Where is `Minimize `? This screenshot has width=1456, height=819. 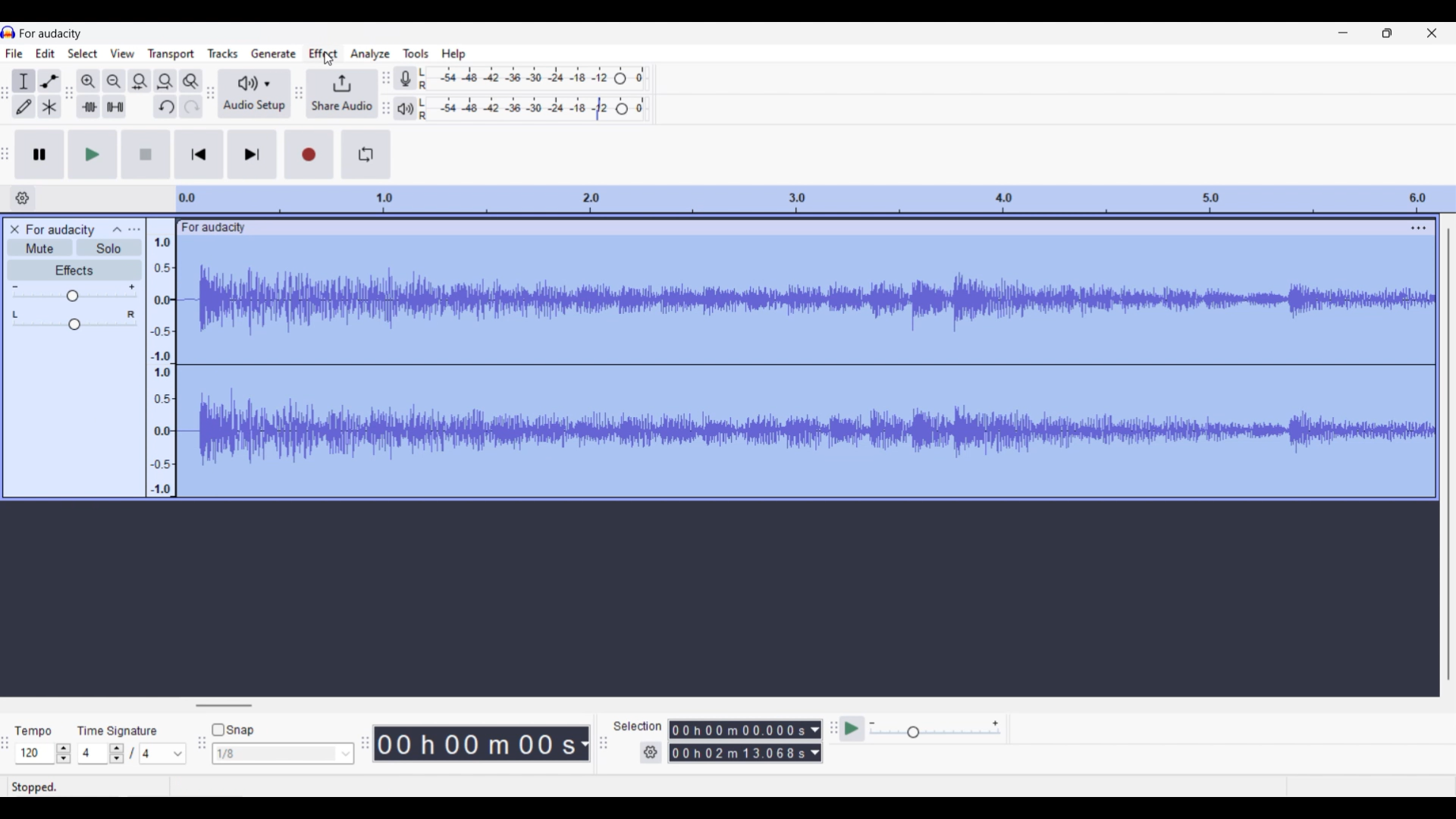
Minimize  is located at coordinates (1343, 33).